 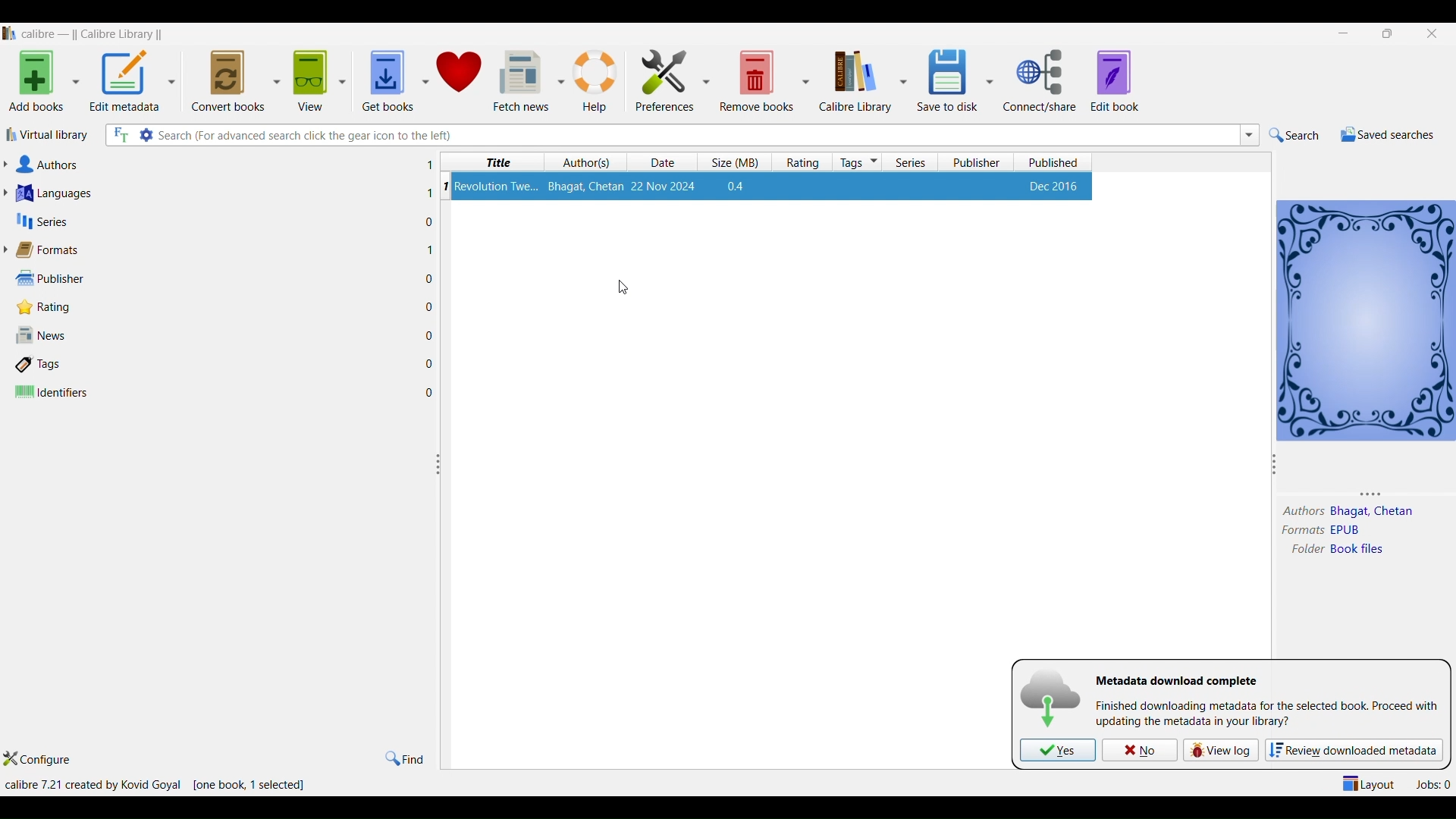 I want to click on calibre library options dropdown button, so click(x=903, y=80).